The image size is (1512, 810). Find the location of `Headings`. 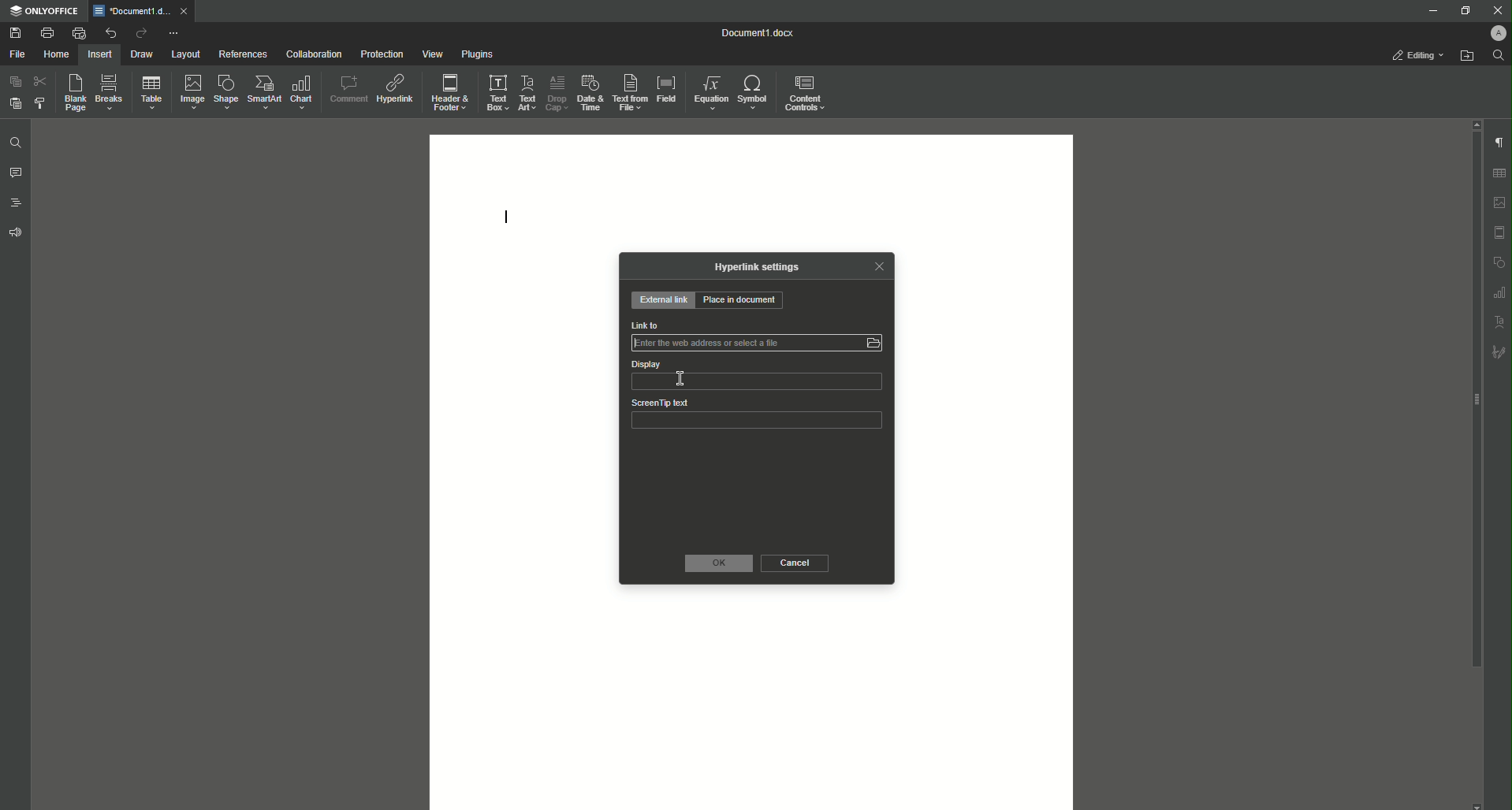

Headings is located at coordinates (16, 203).